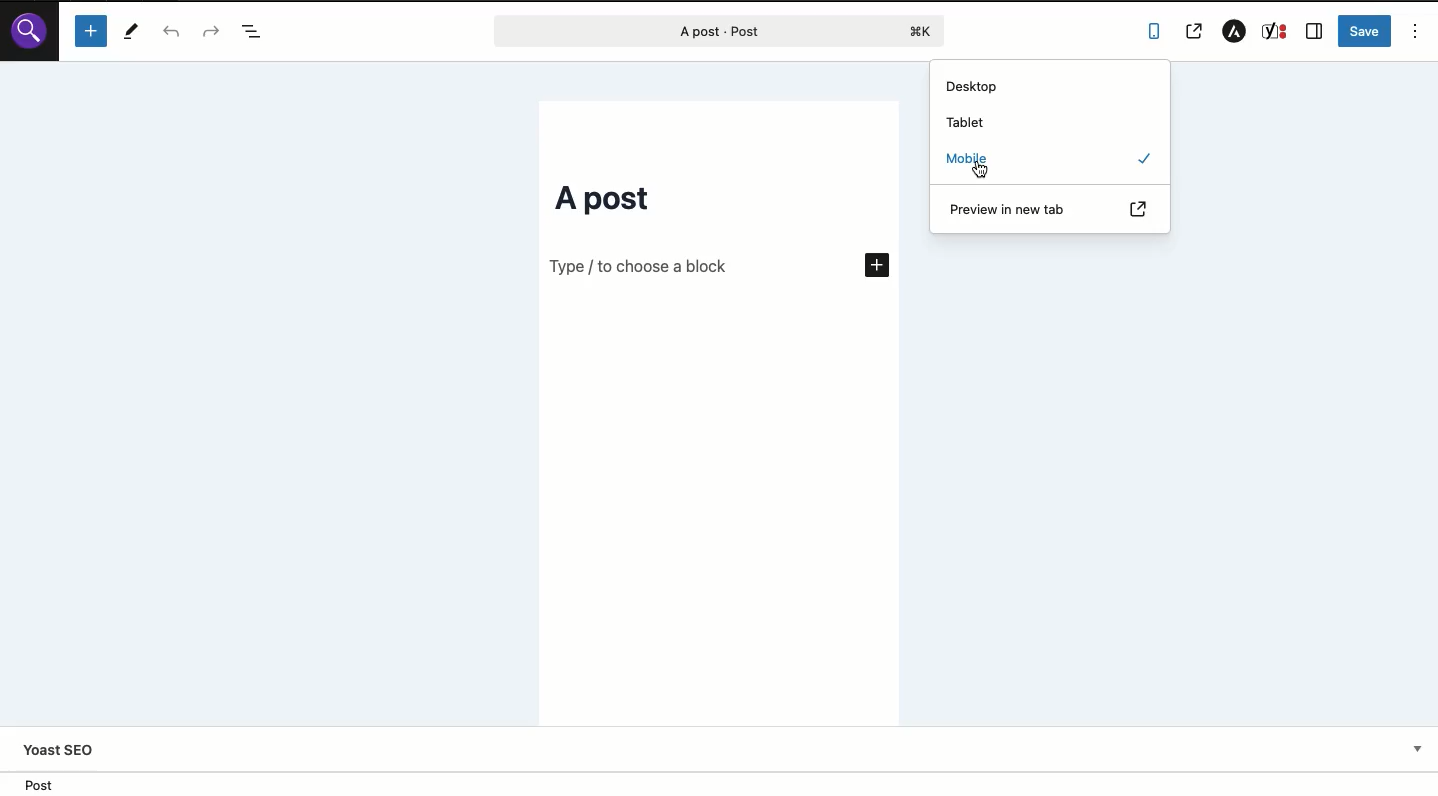 The width and height of the screenshot is (1438, 796). I want to click on a post, so click(597, 199).